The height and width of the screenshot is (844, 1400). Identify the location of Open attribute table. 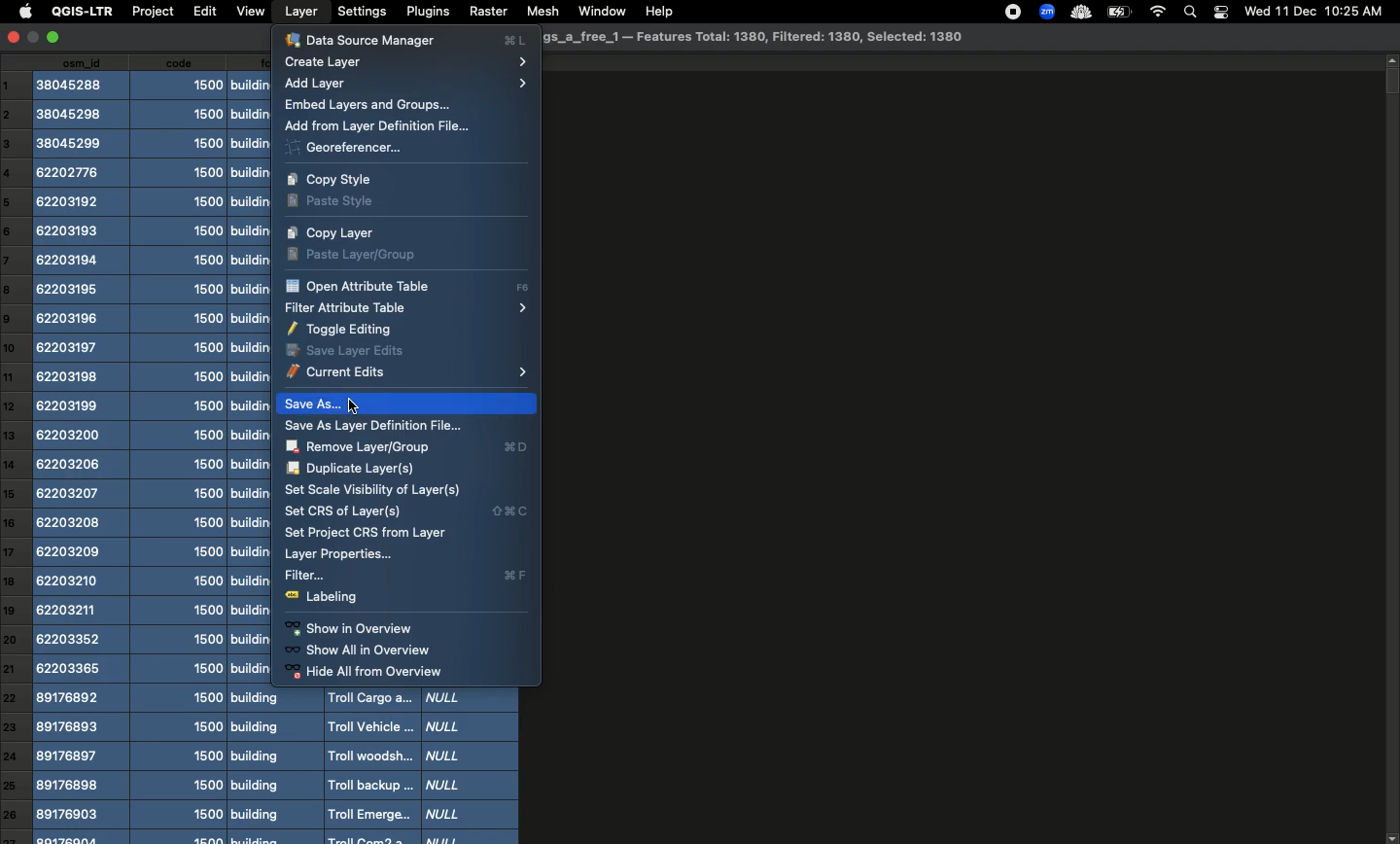
(405, 288).